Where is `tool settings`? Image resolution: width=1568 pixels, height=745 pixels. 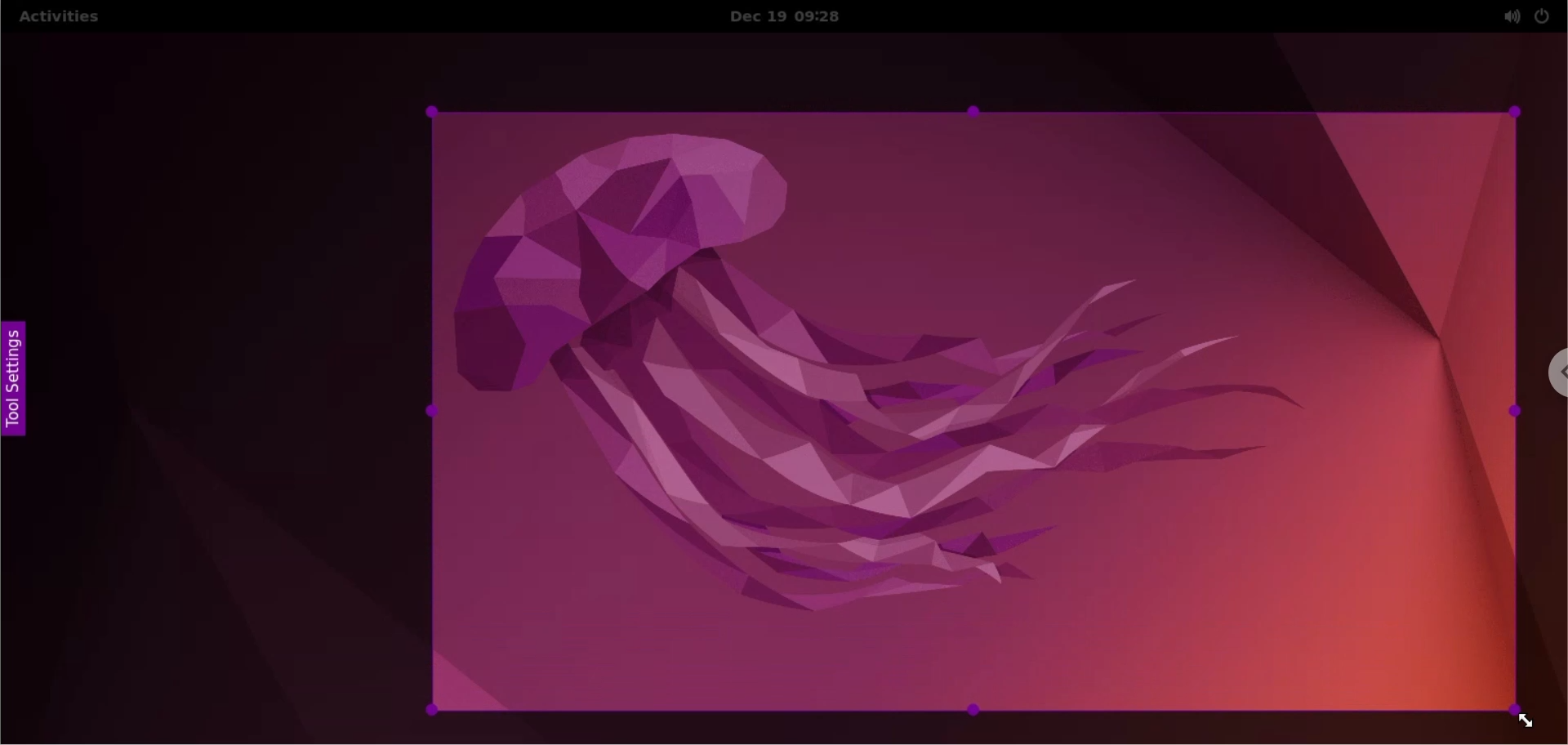
tool settings is located at coordinates (19, 384).